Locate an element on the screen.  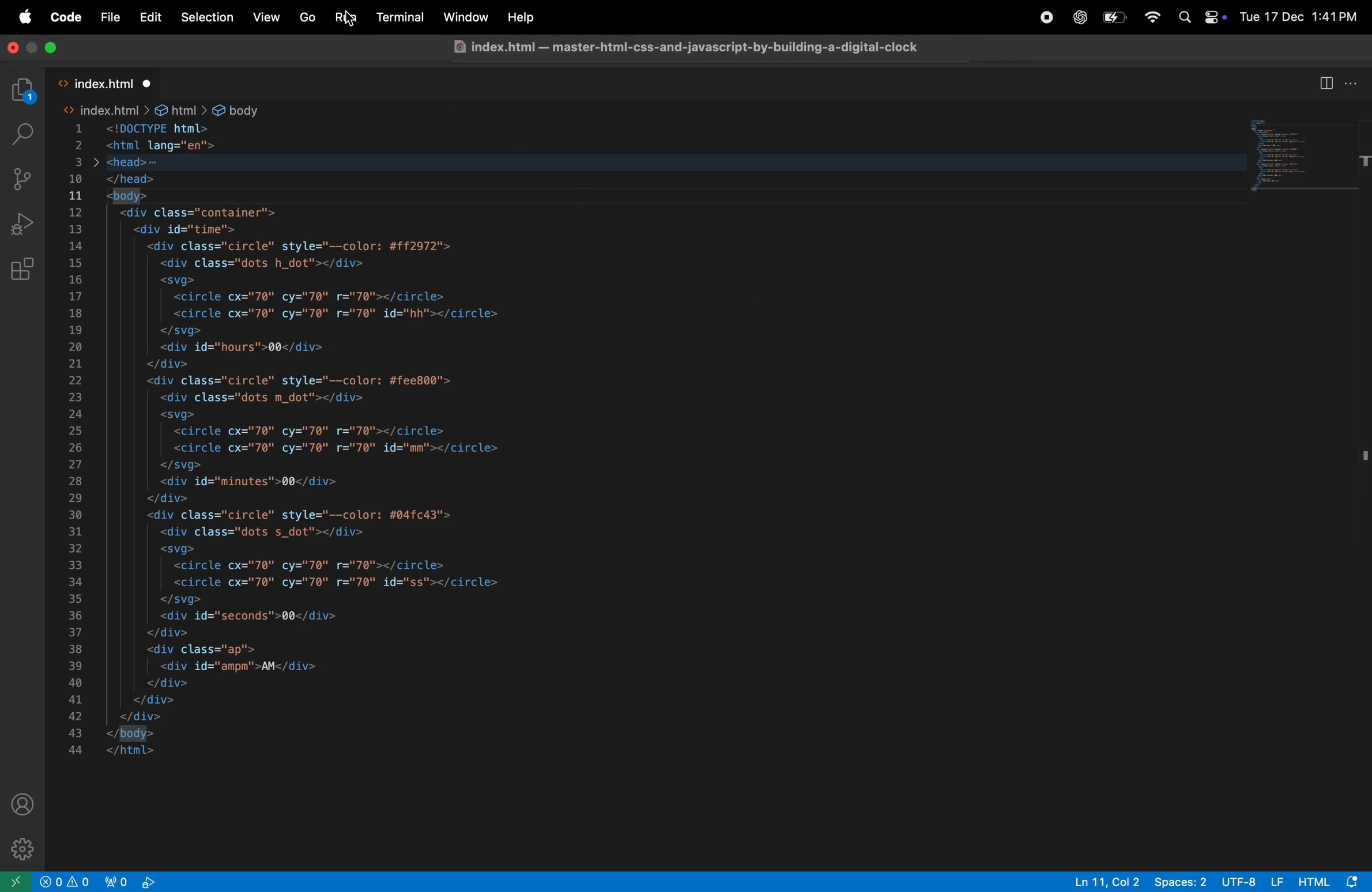
terminal is located at coordinates (401, 17).